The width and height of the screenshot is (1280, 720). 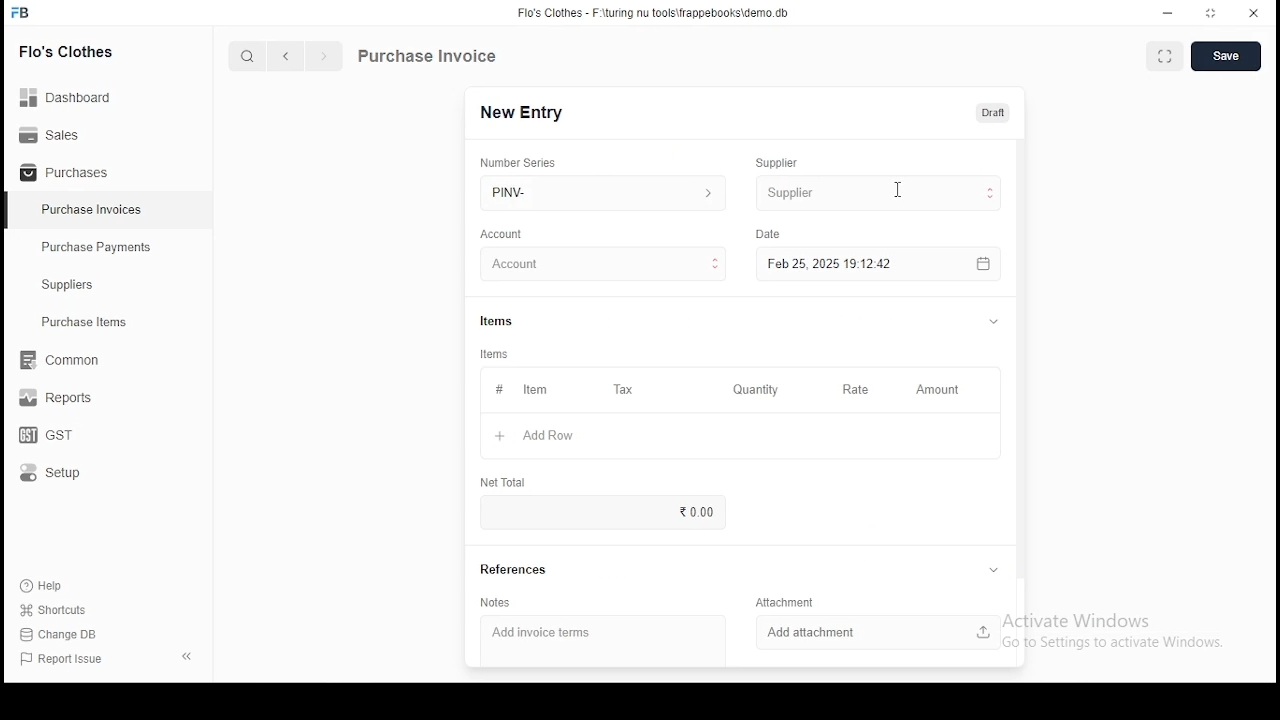 What do you see at coordinates (46, 437) in the screenshot?
I see `gst` at bounding box center [46, 437].